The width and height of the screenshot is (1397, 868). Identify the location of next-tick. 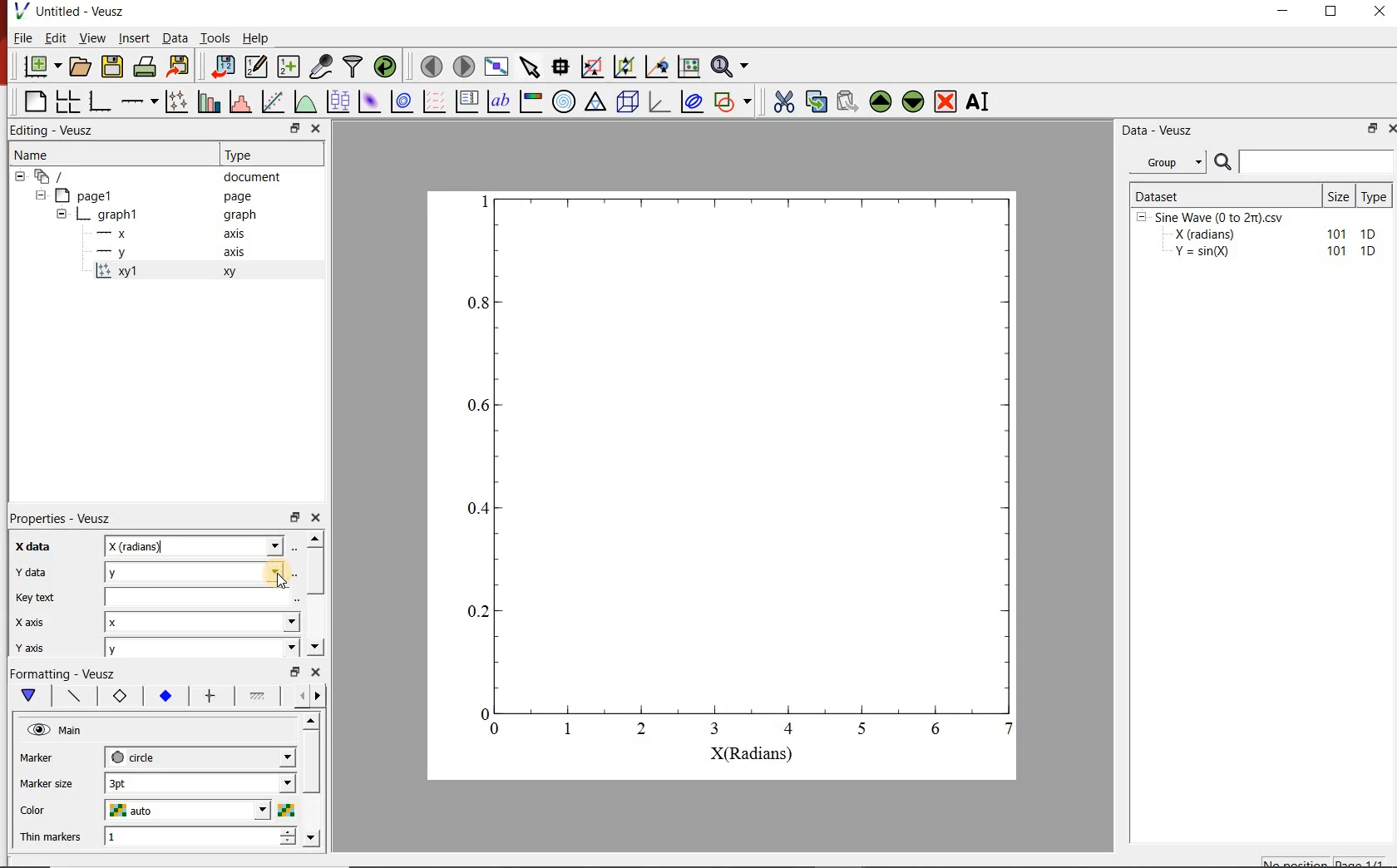
(200, 756).